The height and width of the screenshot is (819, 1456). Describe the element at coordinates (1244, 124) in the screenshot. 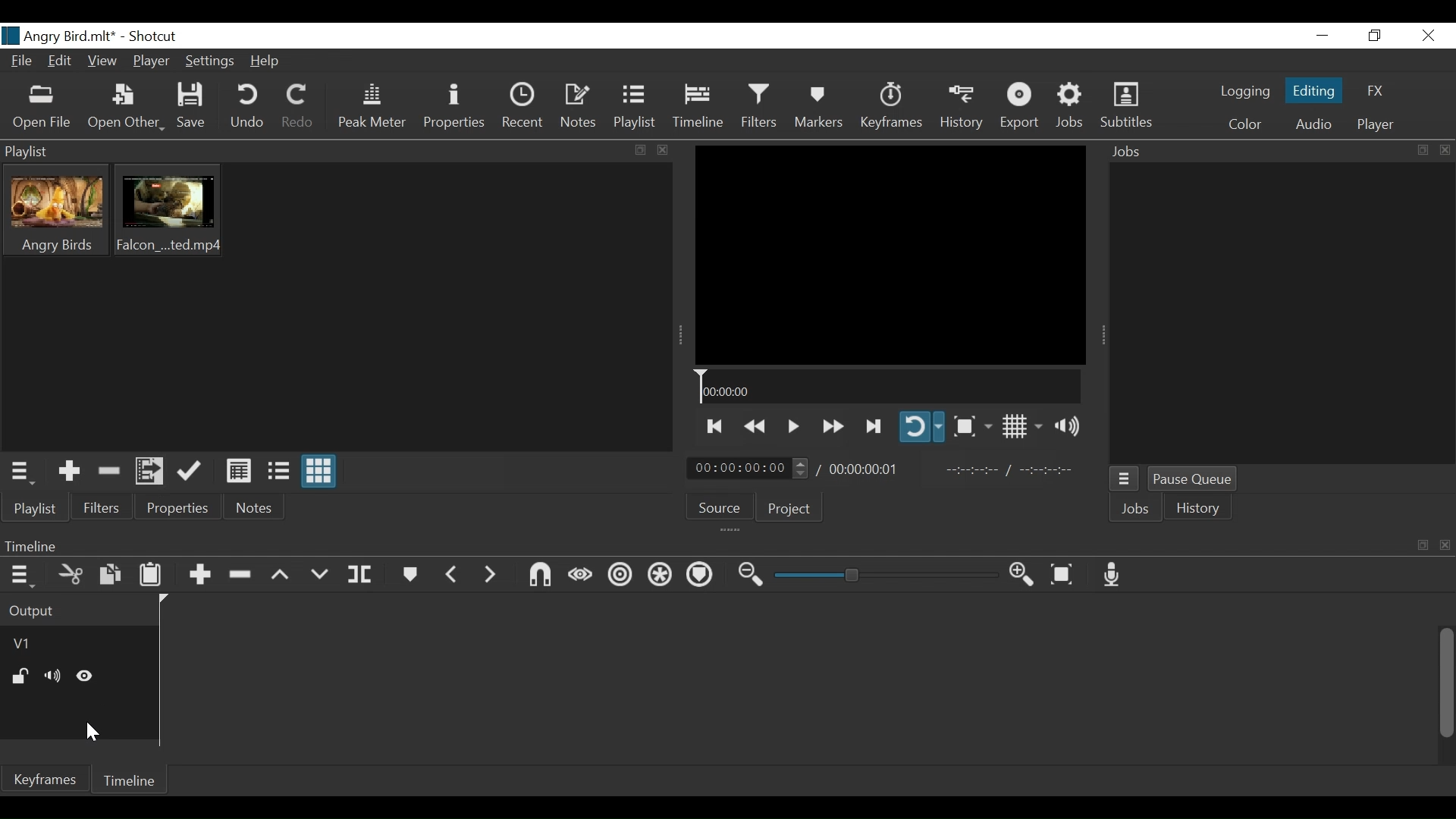

I see `` at that location.